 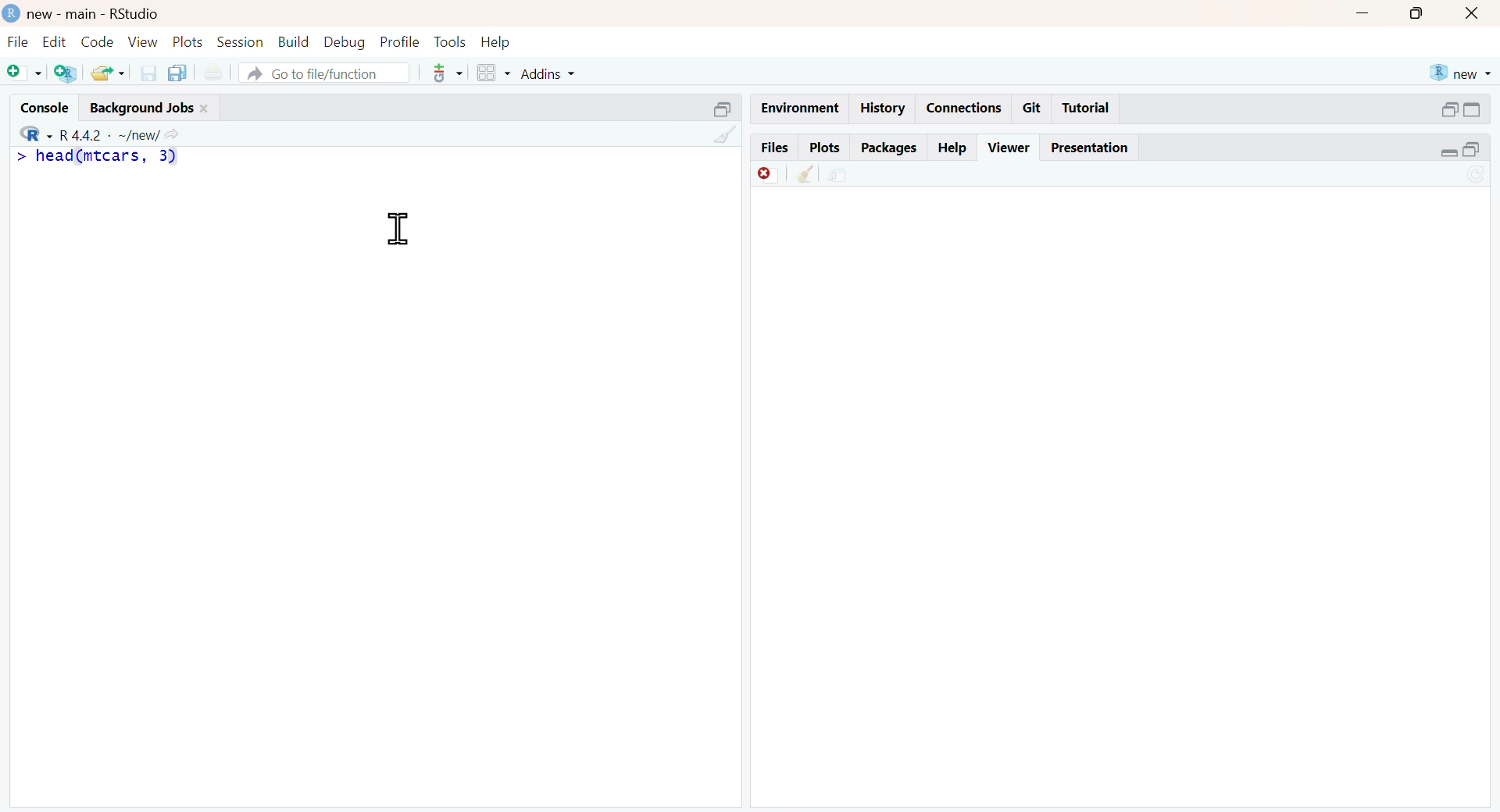 What do you see at coordinates (822, 146) in the screenshot?
I see `Plots` at bounding box center [822, 146].